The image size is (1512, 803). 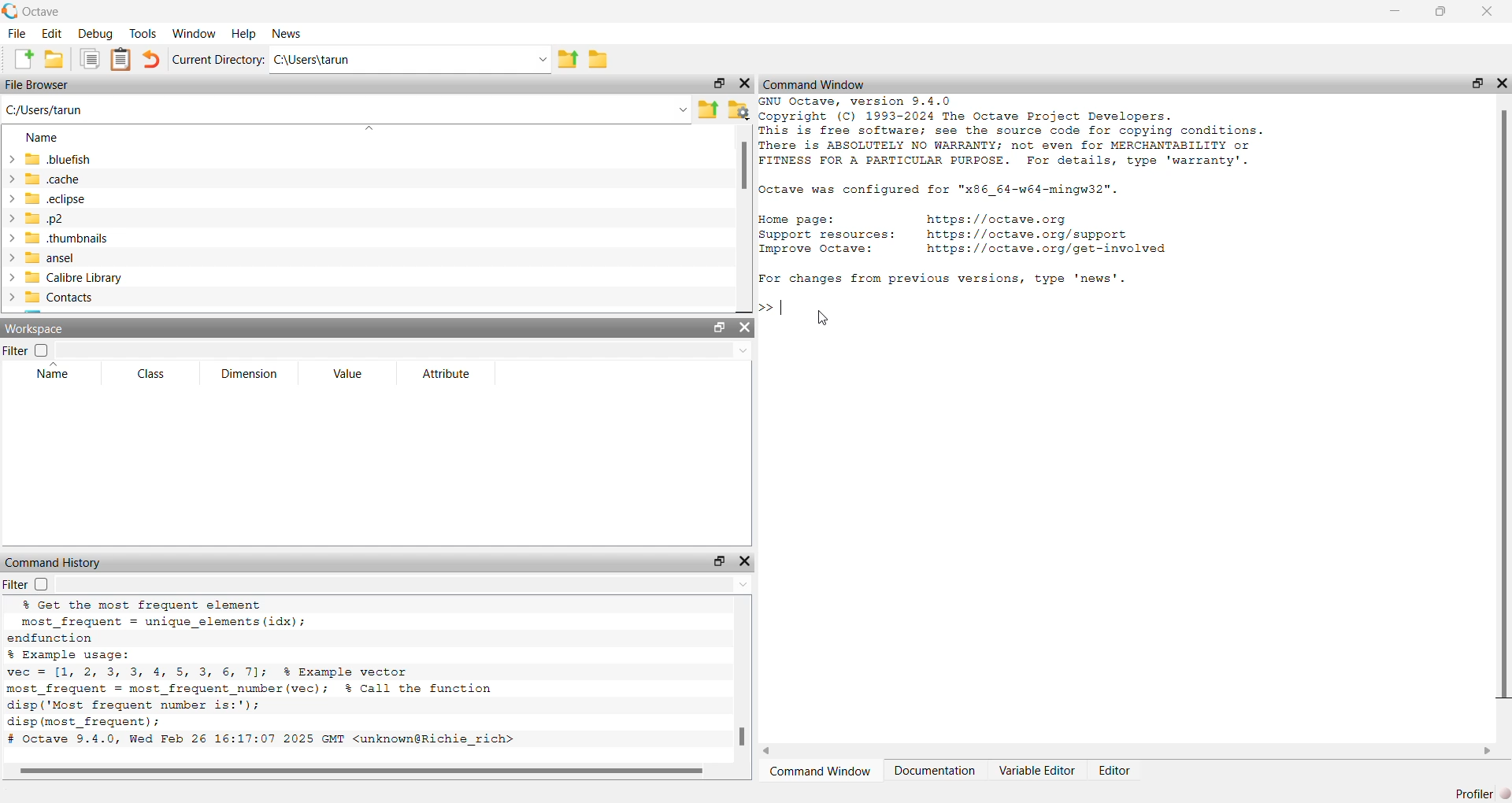 I want to click on Filter, so click(x=26, y=584).